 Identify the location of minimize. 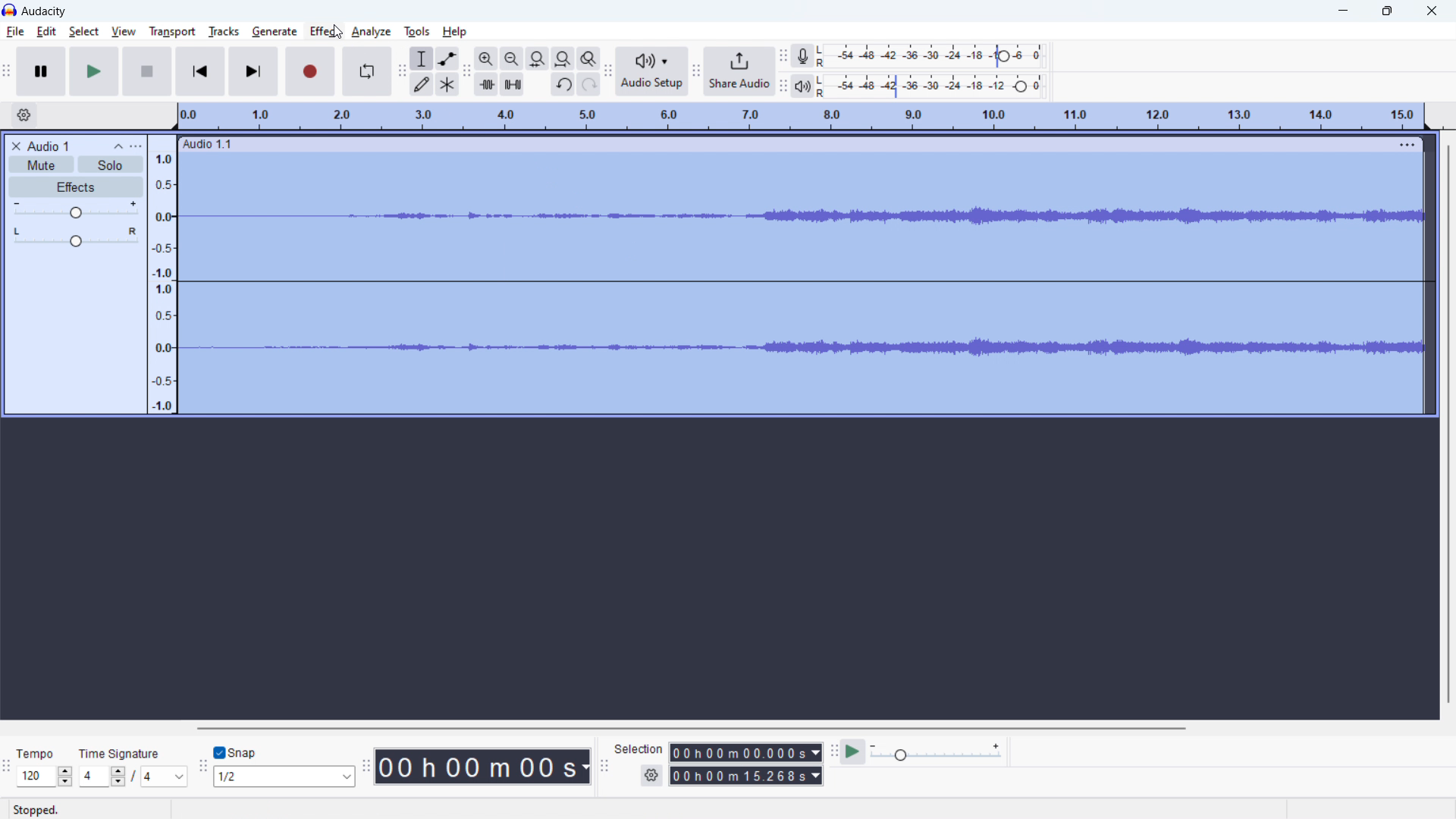
(1344, 10).